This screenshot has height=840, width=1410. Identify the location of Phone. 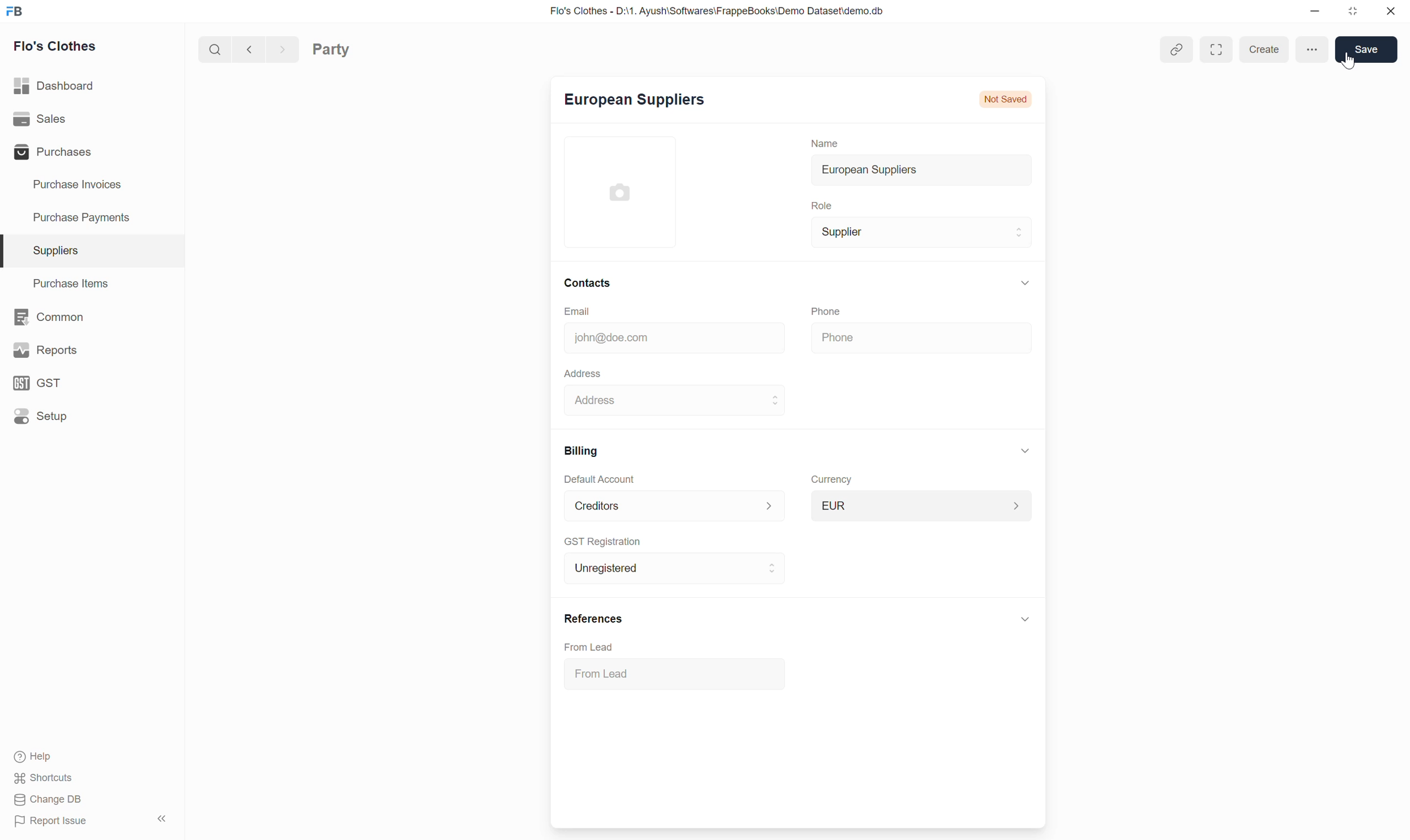
(839, 309).